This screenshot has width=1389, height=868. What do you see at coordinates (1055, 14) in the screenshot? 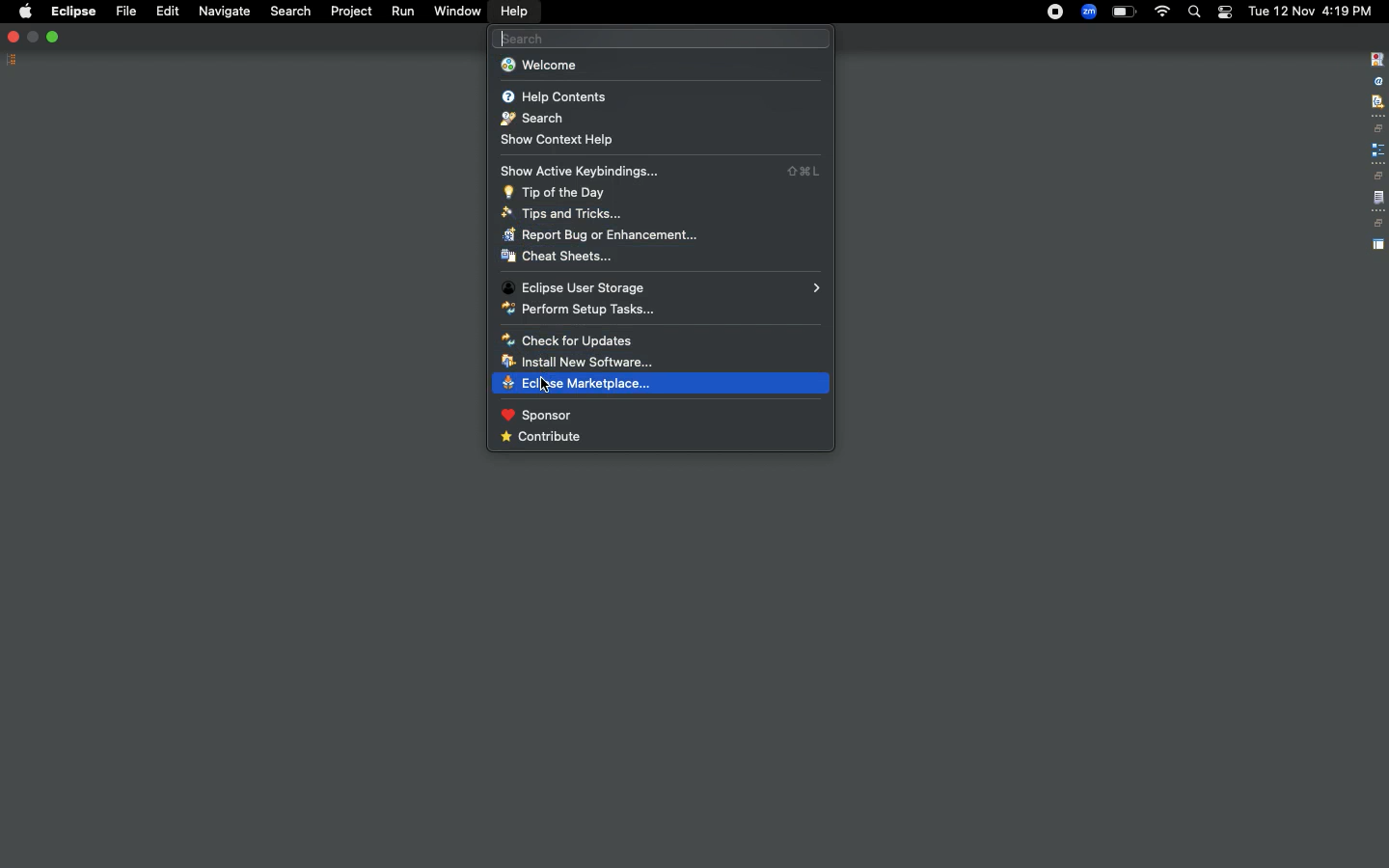
I see `Recording` at bounding box center [1055, 14].